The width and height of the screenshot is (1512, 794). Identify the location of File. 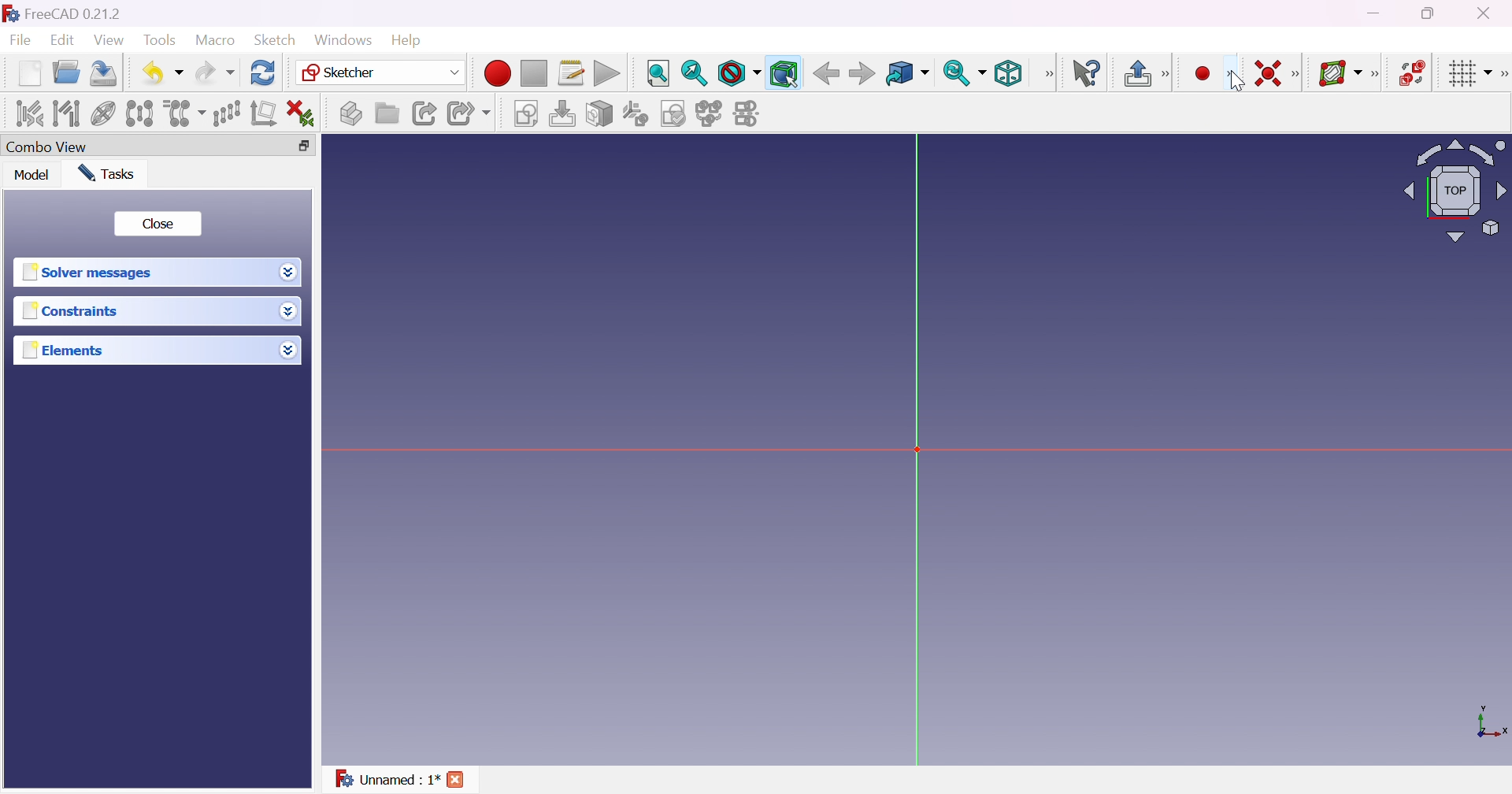
(20, 39).